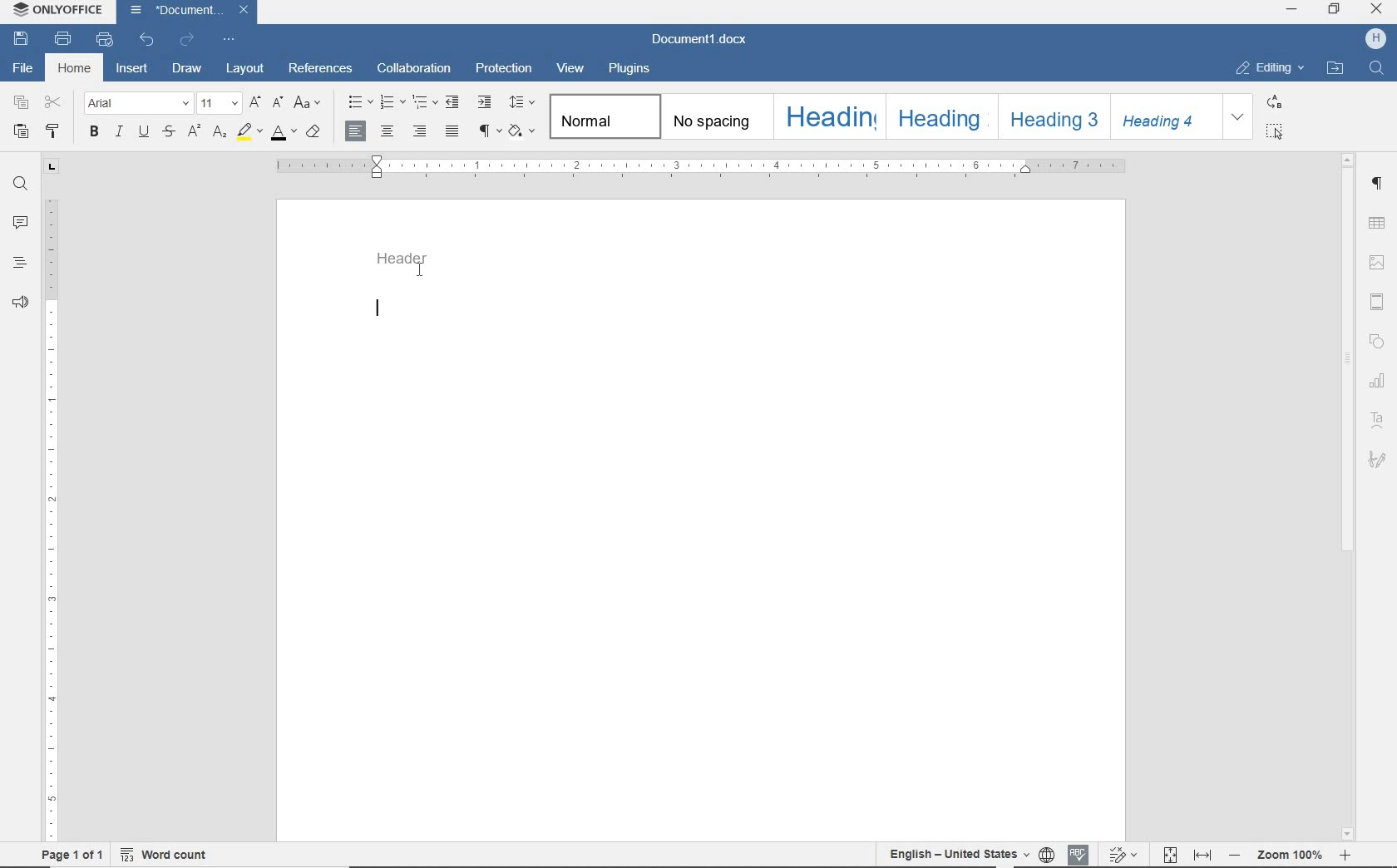 The width and height of the screenshot is (1397, 868). What do you see at coordinates (257, 103) in the screenshot?
I see `increment font size` at bounding box center [257, 103].